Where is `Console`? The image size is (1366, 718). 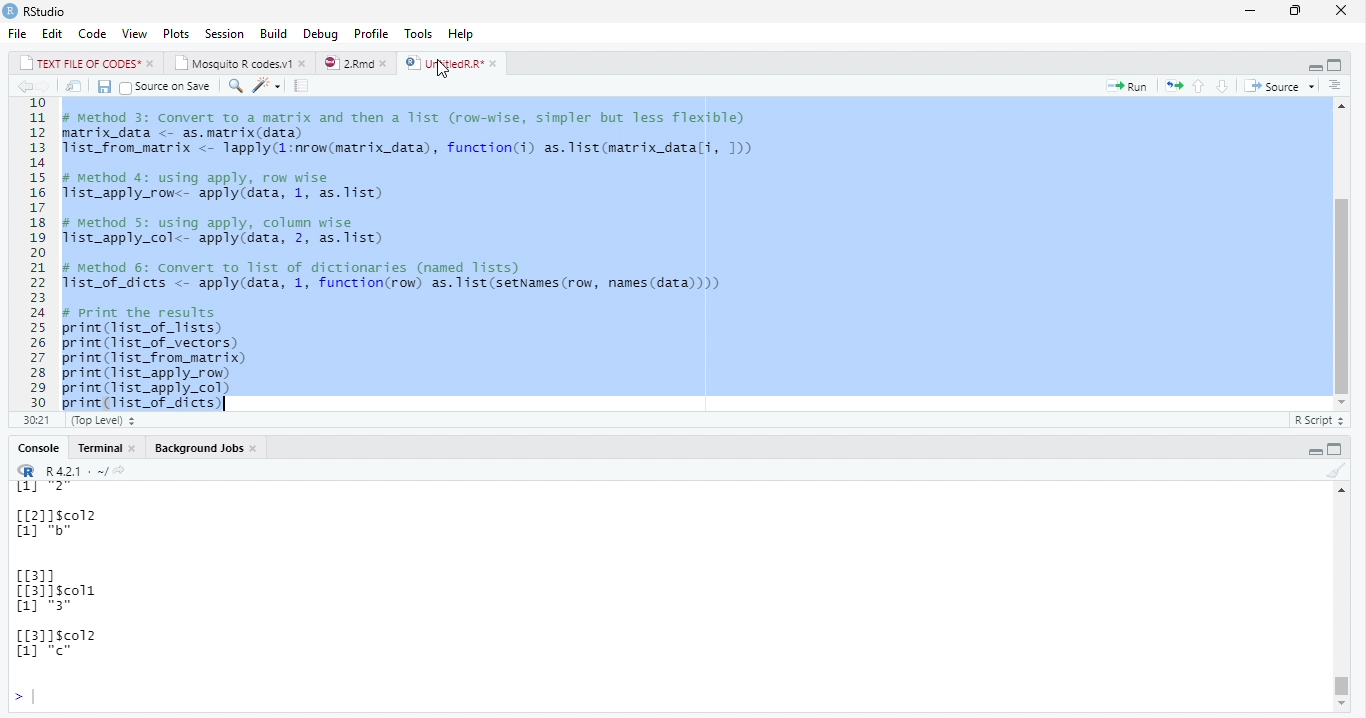
Console is located at coordinates (104, 448).